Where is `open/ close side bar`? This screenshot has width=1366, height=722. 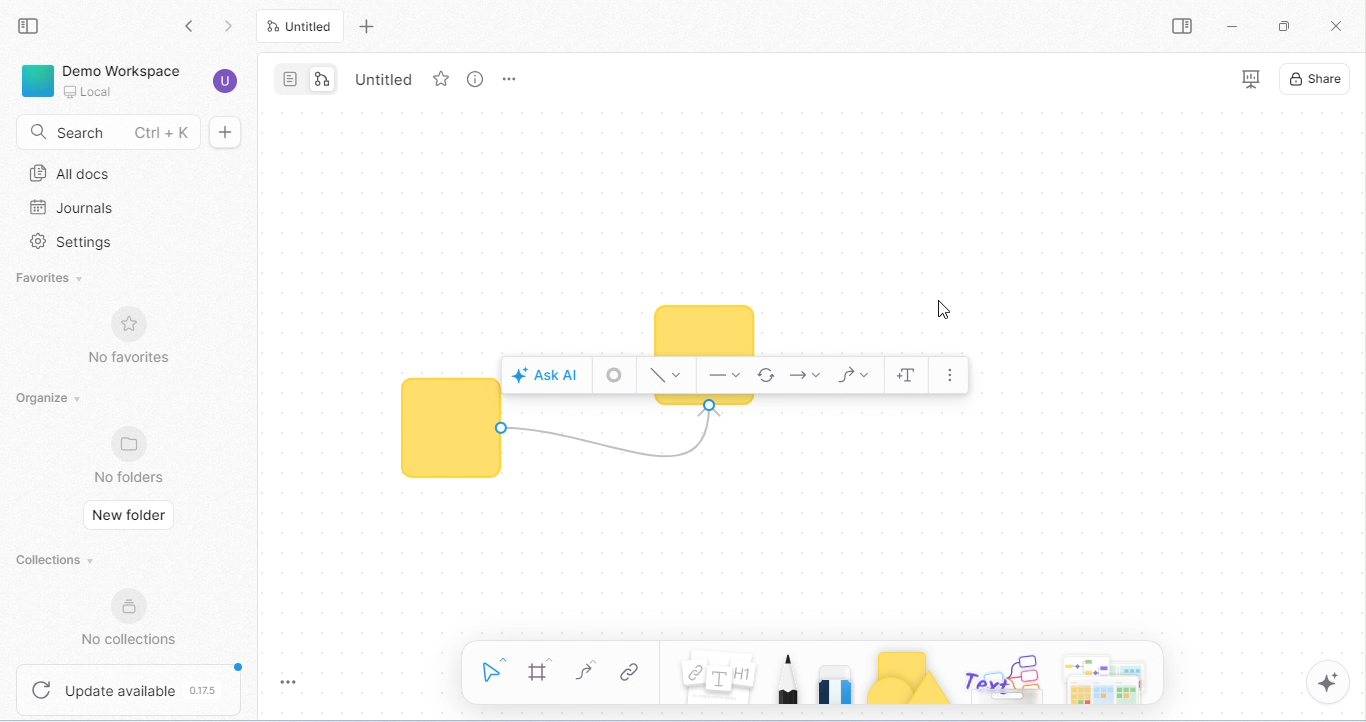 open/ close side bar is located at coordinates (1182, 26).